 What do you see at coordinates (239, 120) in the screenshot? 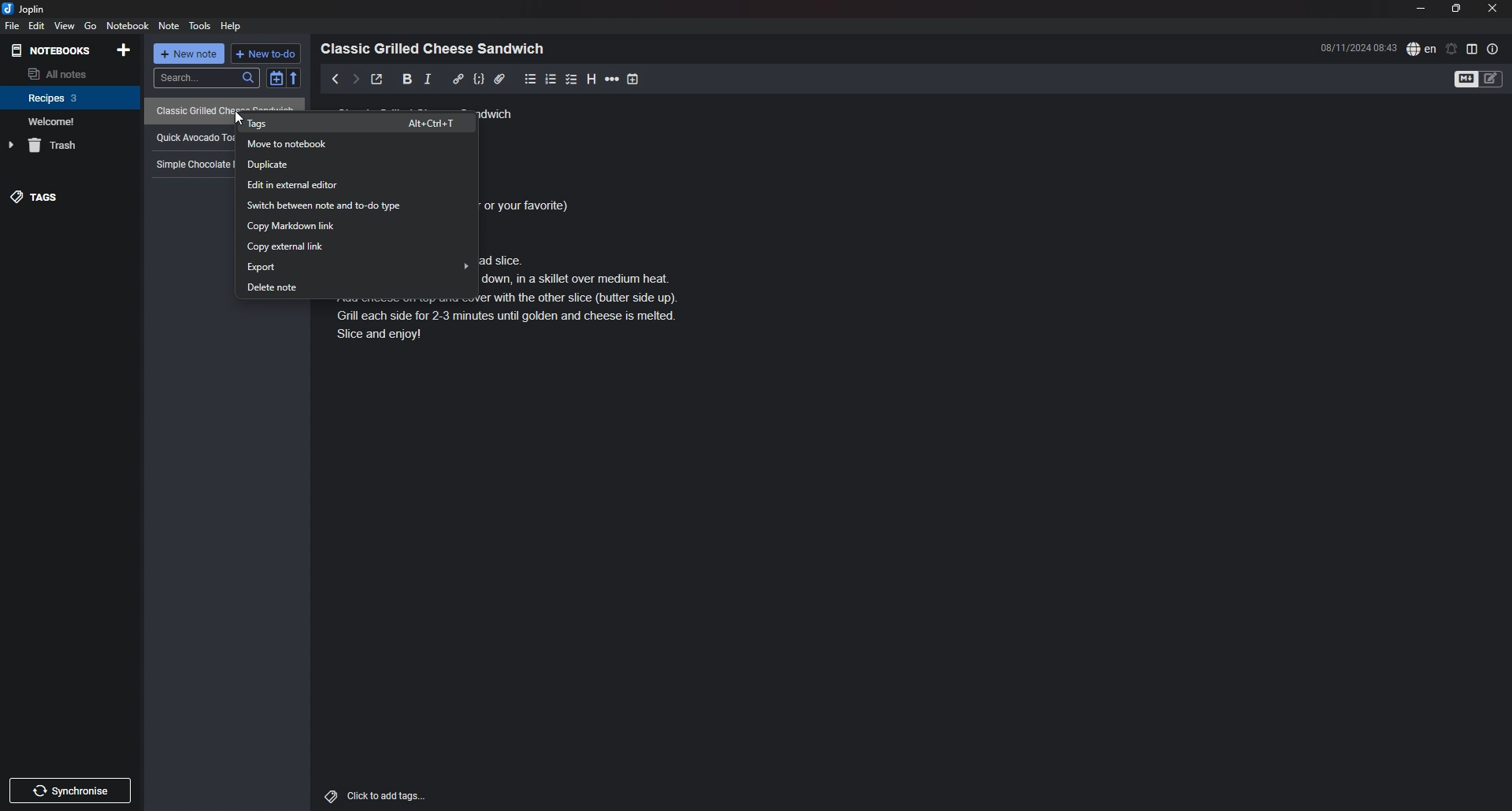
I see `cursor` at bounding box center [239, 120].